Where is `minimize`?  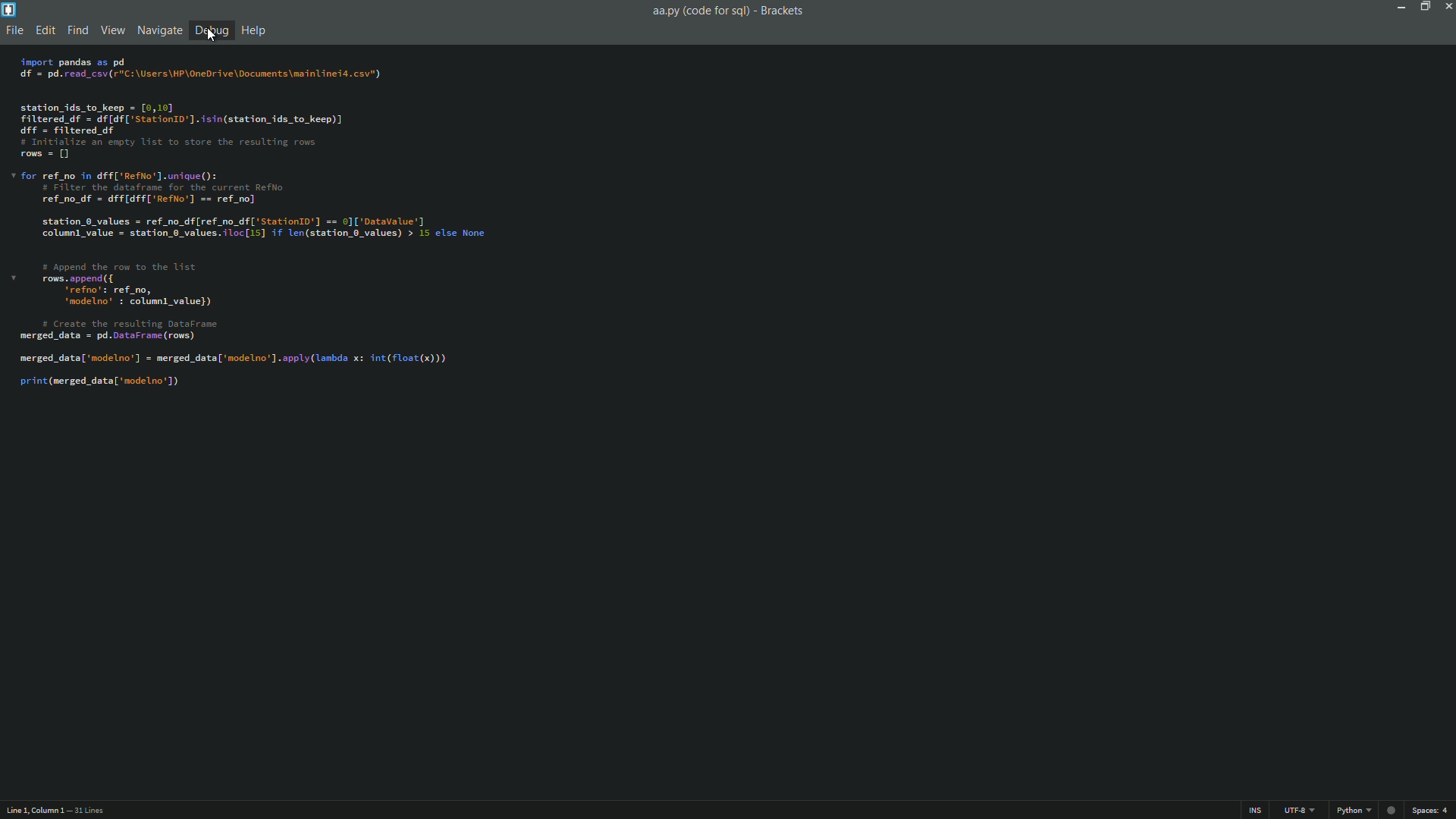 minimize is located at coordinates (1399, 7).